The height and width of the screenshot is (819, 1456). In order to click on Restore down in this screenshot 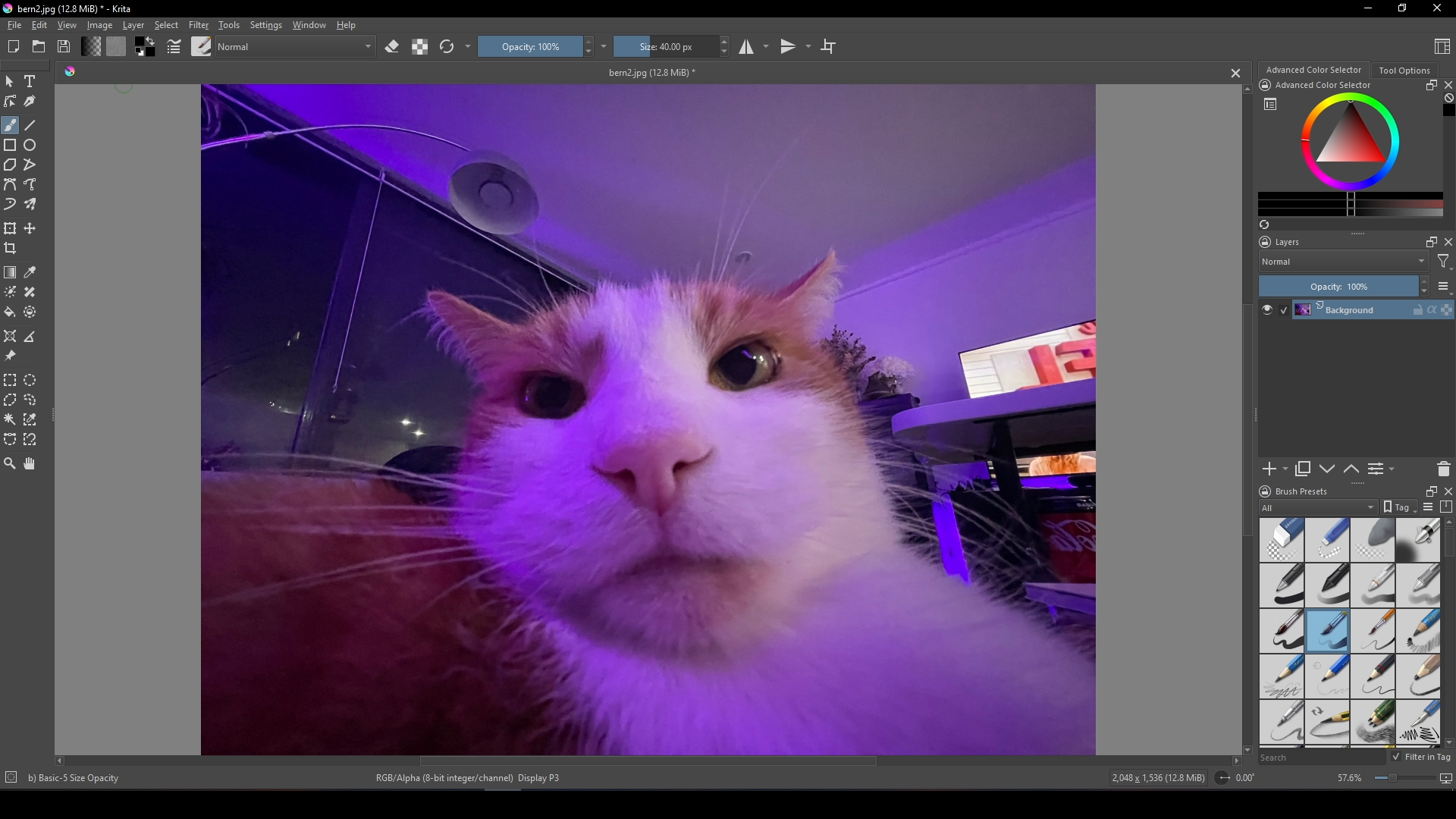, I will do `click(1402, 9)`.